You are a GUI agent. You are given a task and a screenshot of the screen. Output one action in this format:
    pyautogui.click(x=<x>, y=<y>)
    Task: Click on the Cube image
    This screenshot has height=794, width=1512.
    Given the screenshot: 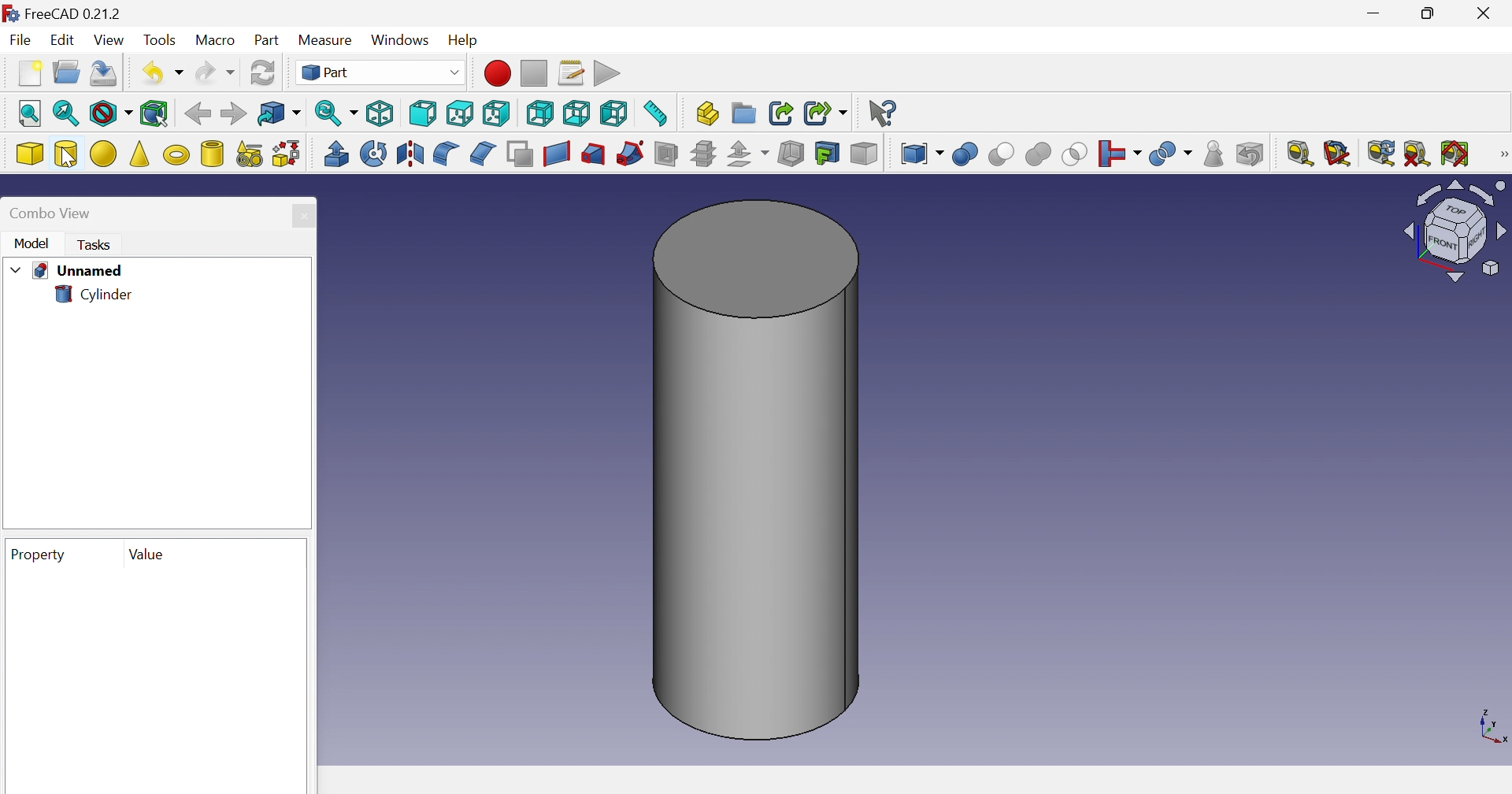 What is the action you would take?
    pyautogui.click(x=1457, y=230)
    